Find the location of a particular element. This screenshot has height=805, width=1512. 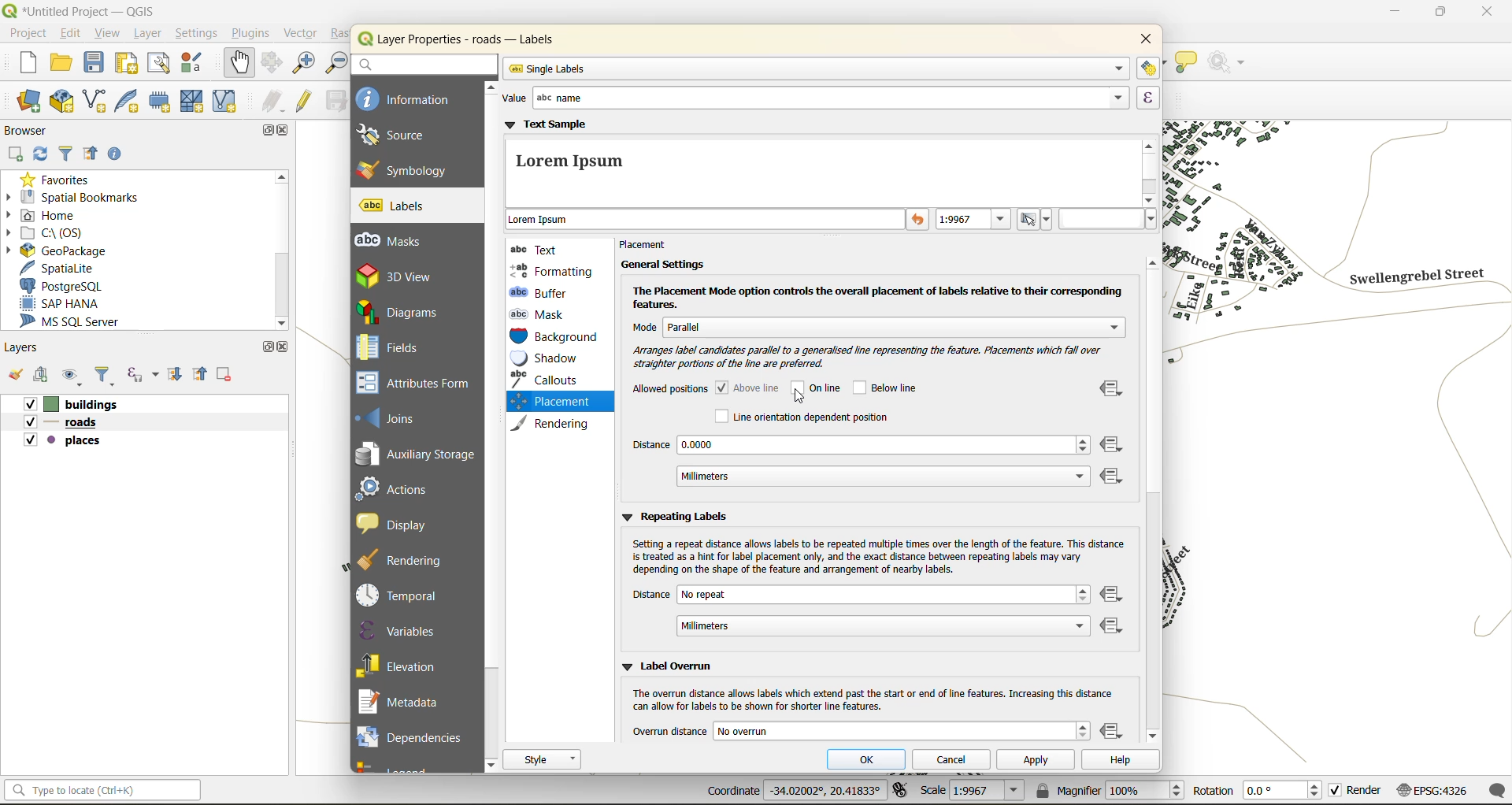

callouts is located at coordinates (549, 380).